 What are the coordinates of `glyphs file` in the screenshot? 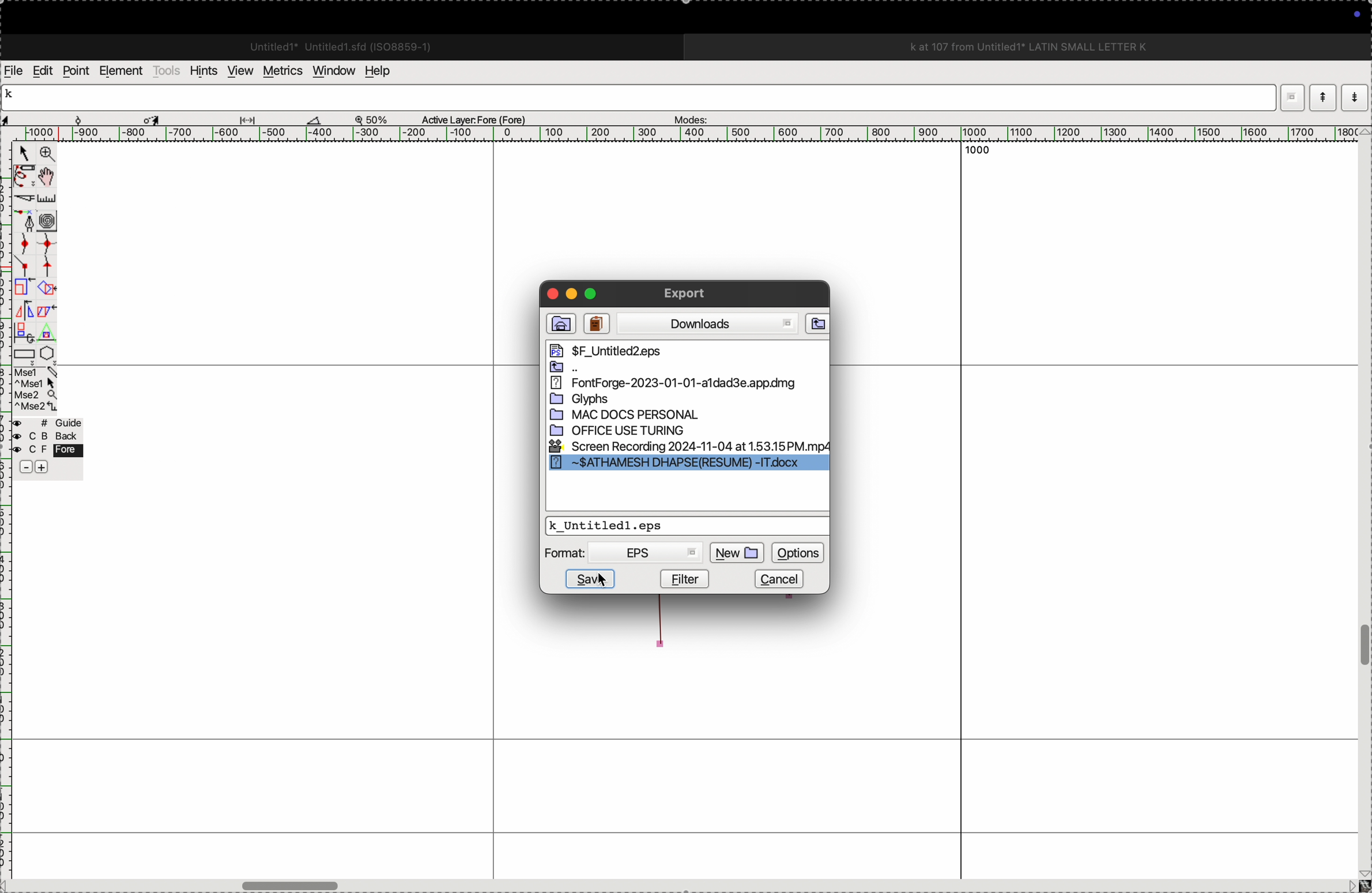 It's located at (634, 401).